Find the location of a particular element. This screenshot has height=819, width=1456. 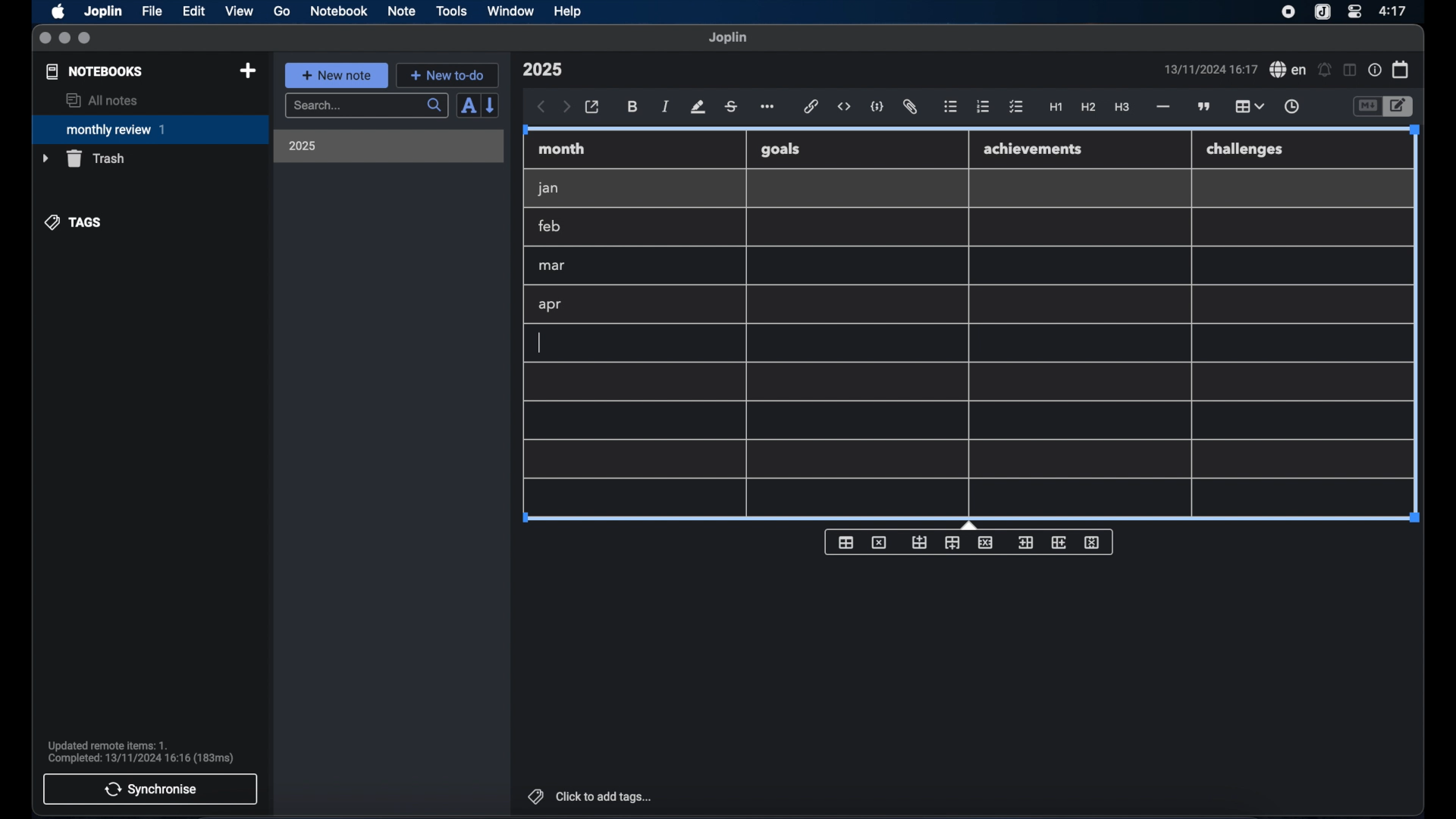

insert table is located at coordinates (846, 542).